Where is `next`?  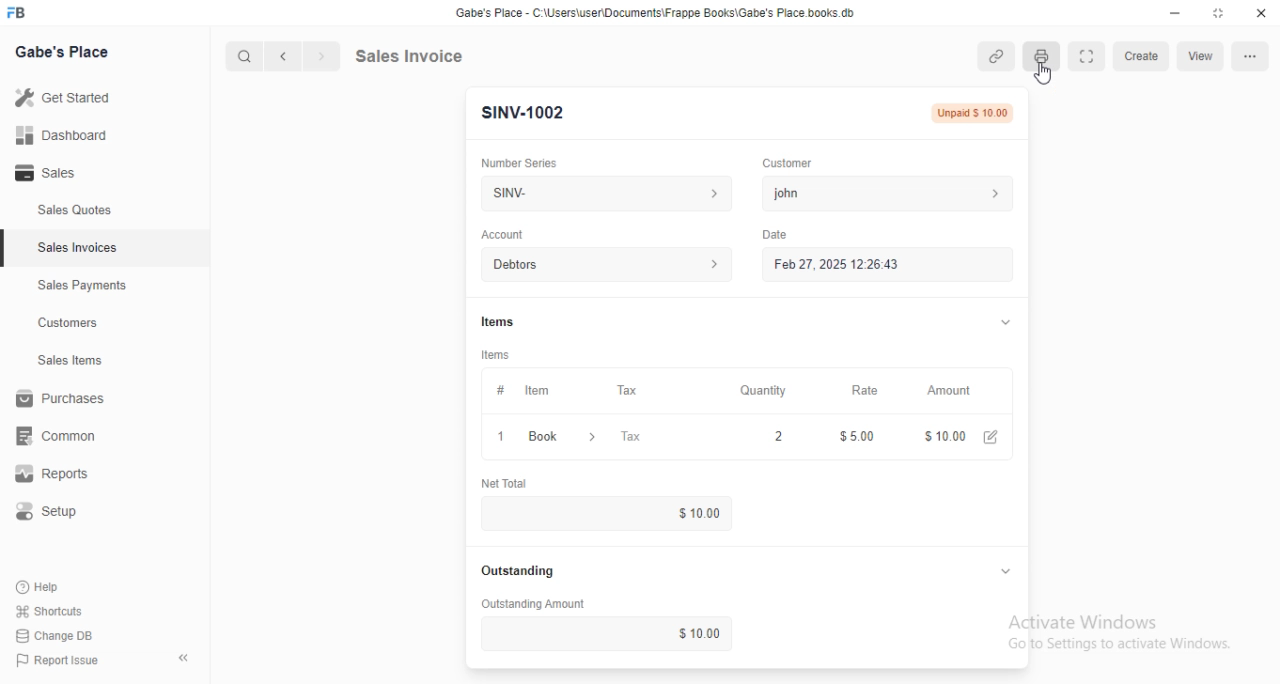
next is located at coordinates (322, 56).